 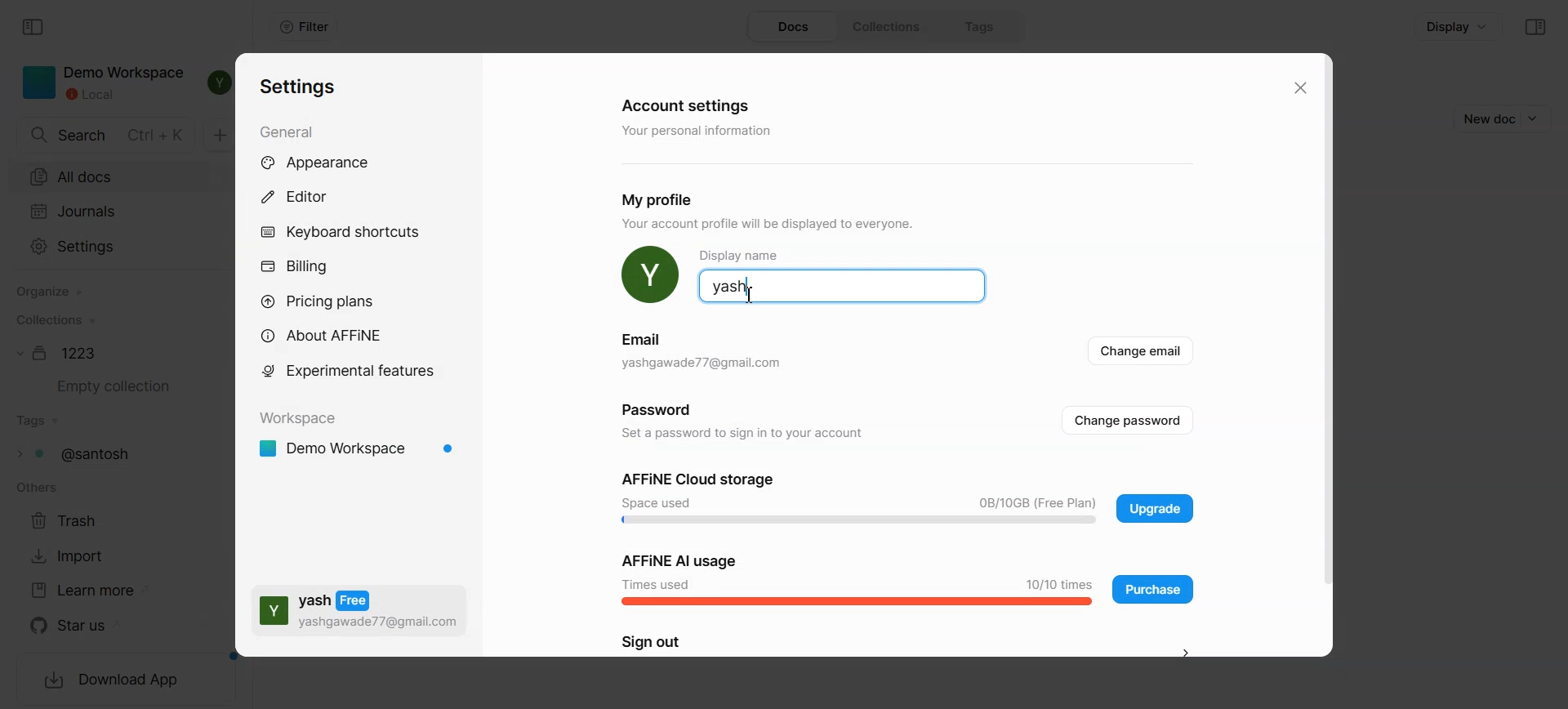 What do you see at coordinates (107, 136) in the screenshot?
I see `Search doc` at bounding box center [107, 136].